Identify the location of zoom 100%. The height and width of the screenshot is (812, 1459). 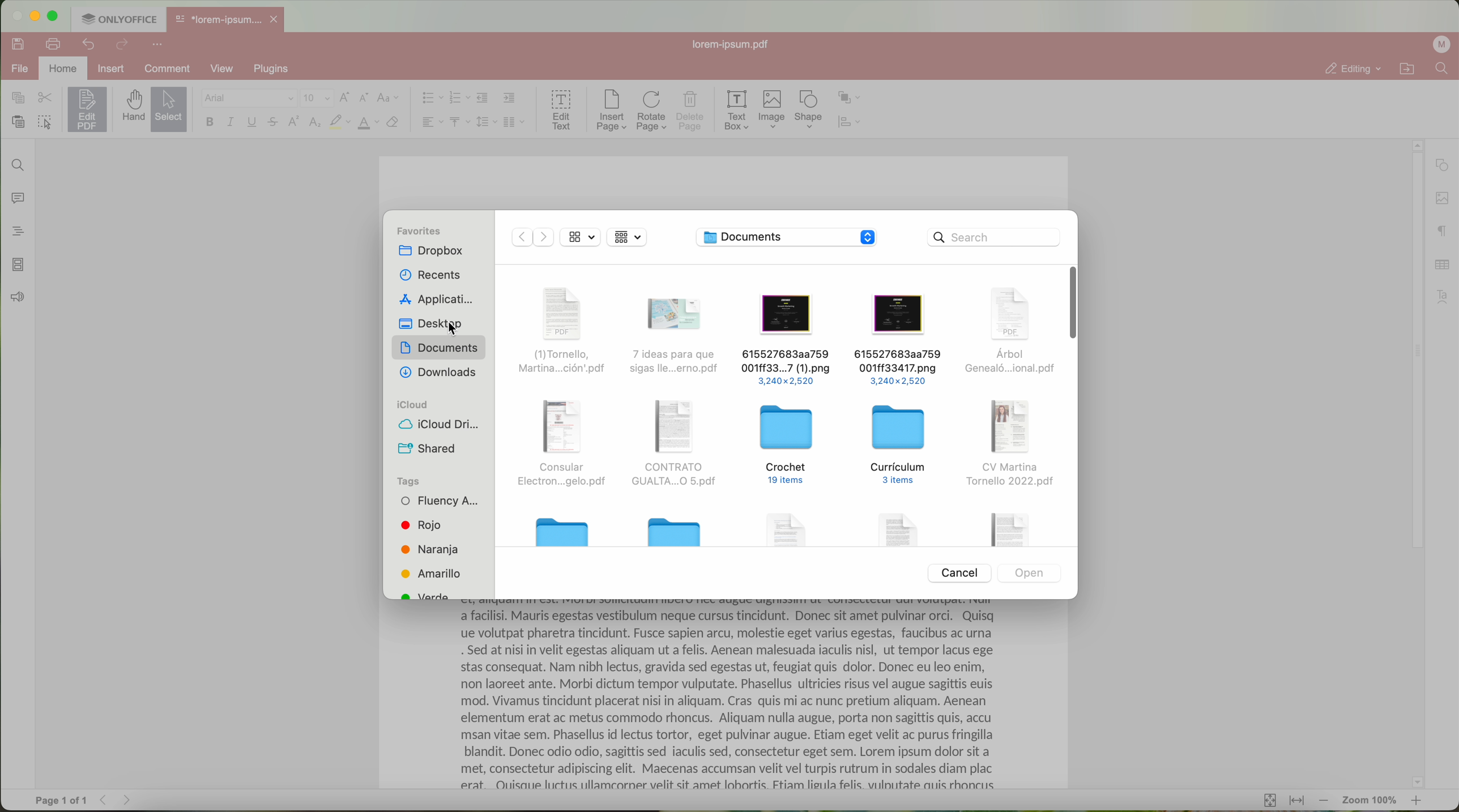
(1371, 802).